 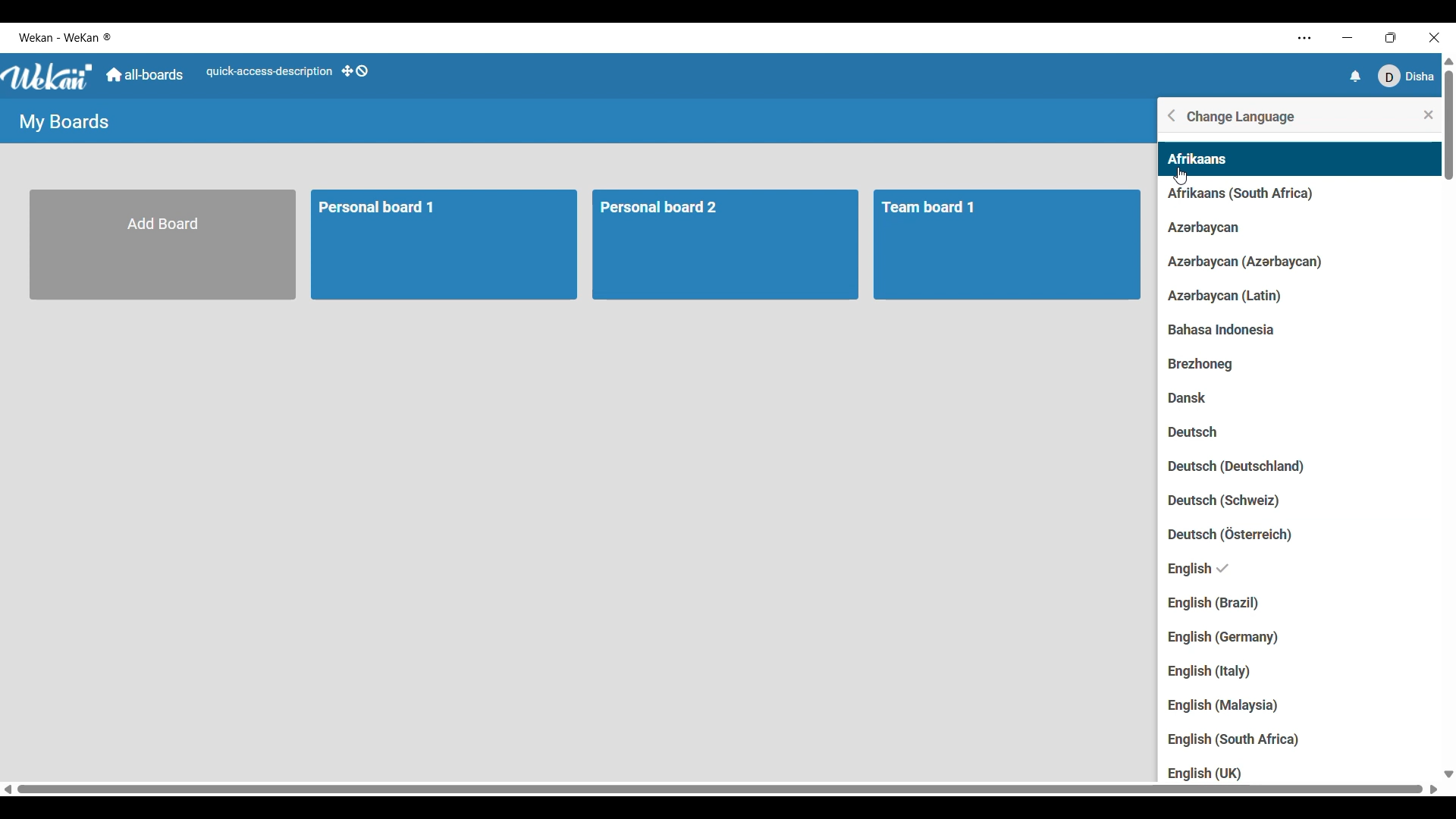 What do you see at coordinates (1010, 246) in the screenshot?
I see `team board 1` at bounding box center [1010, 246].